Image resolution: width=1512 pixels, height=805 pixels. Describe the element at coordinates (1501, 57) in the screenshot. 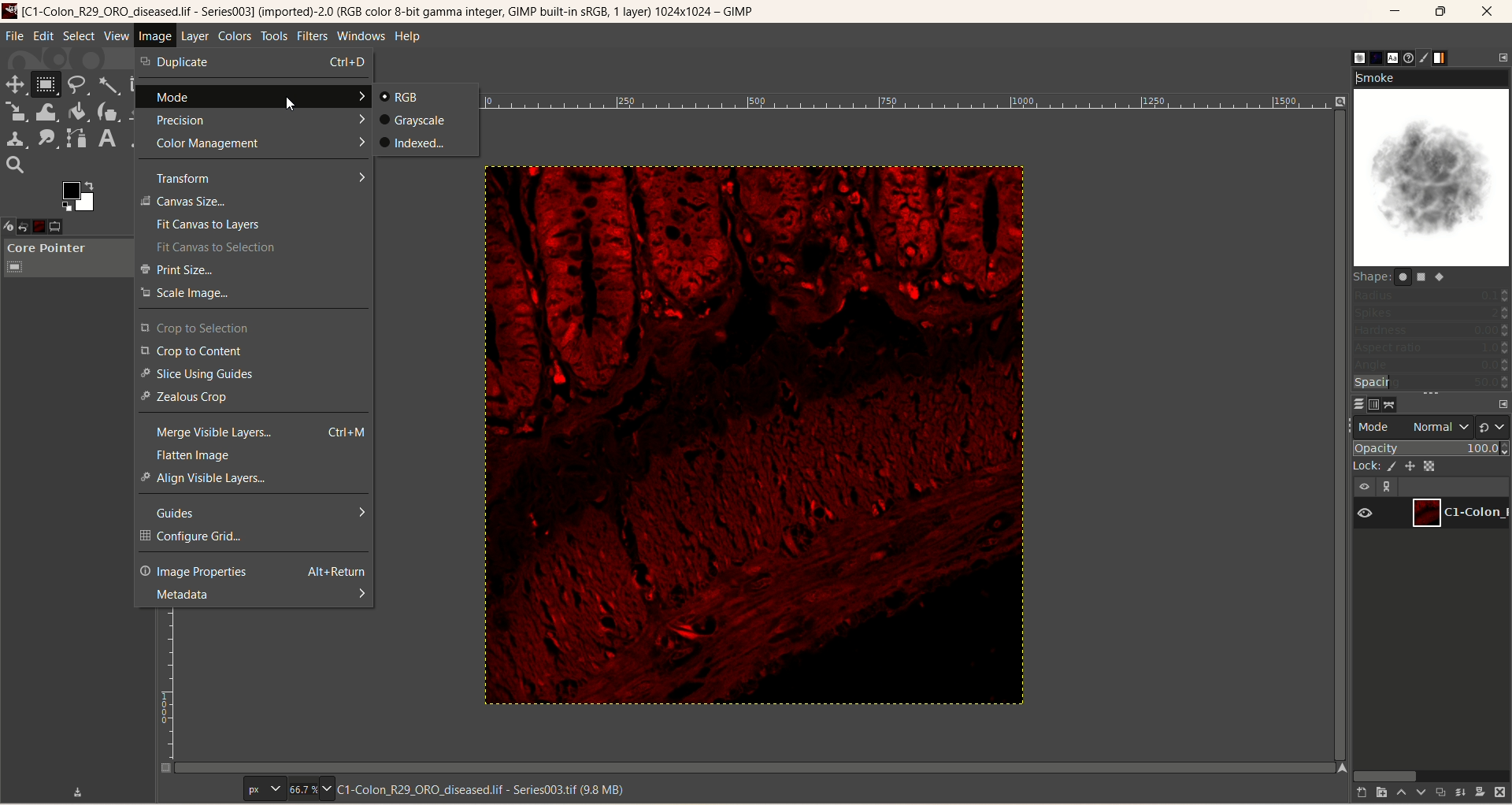

I see `configure this tab` at that location.